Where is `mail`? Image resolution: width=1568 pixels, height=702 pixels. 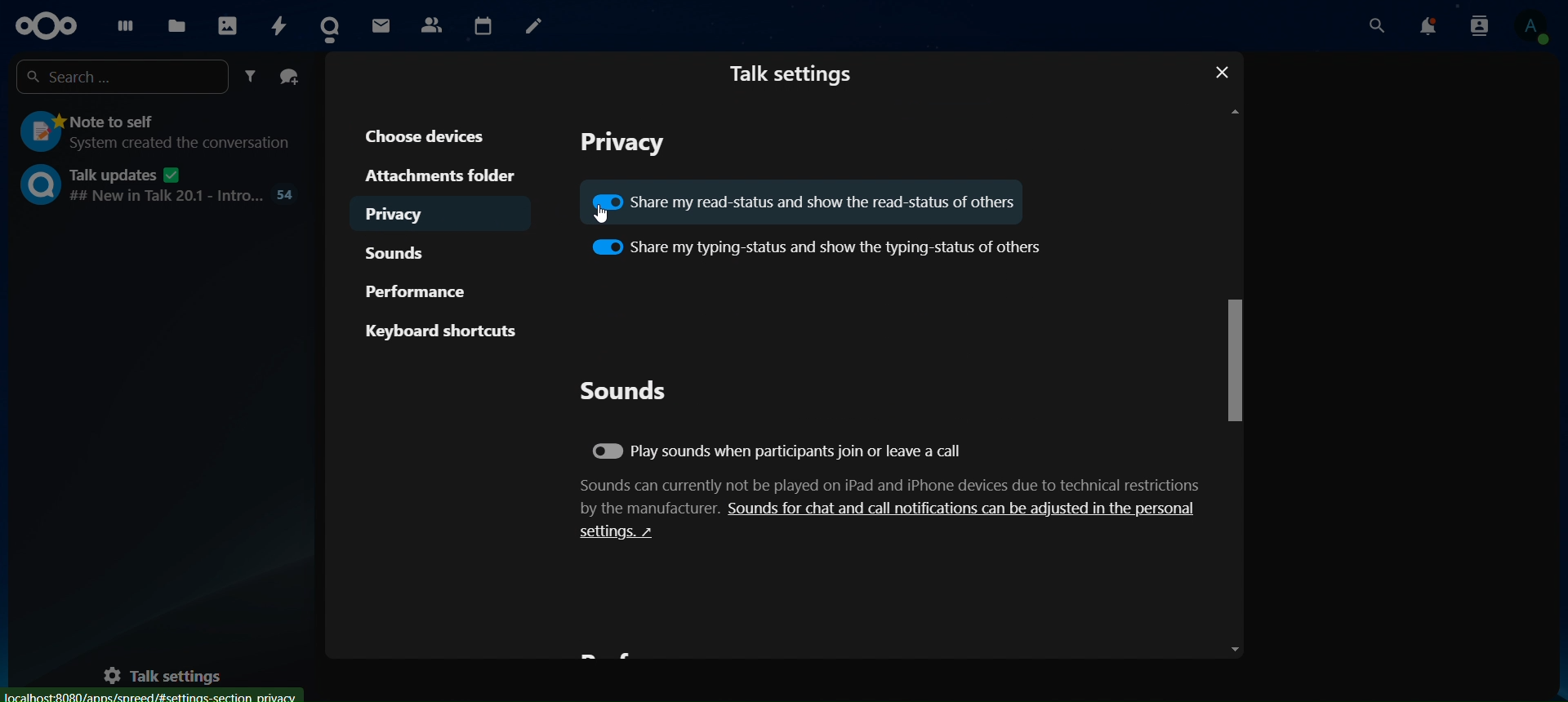
mail is located at coordinates (383, 24).